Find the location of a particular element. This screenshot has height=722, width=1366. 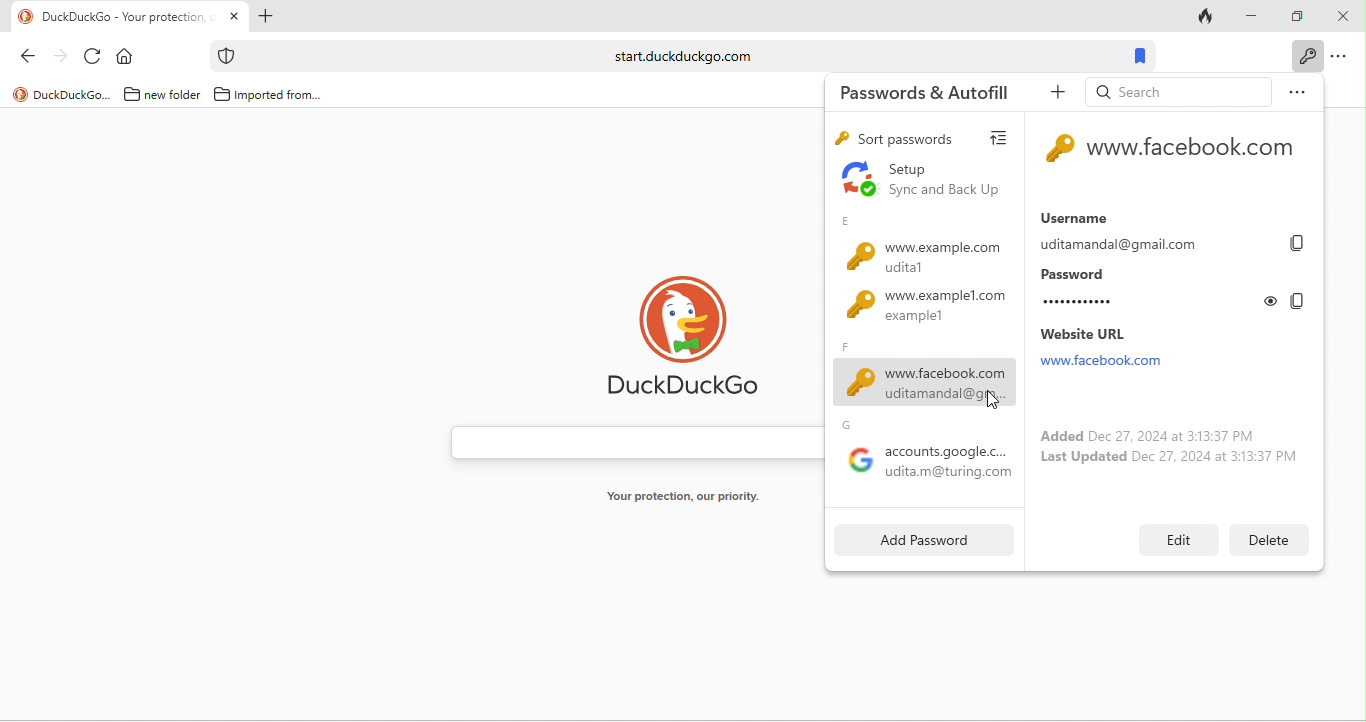

bookmark is located at coordinates (1138, 56).